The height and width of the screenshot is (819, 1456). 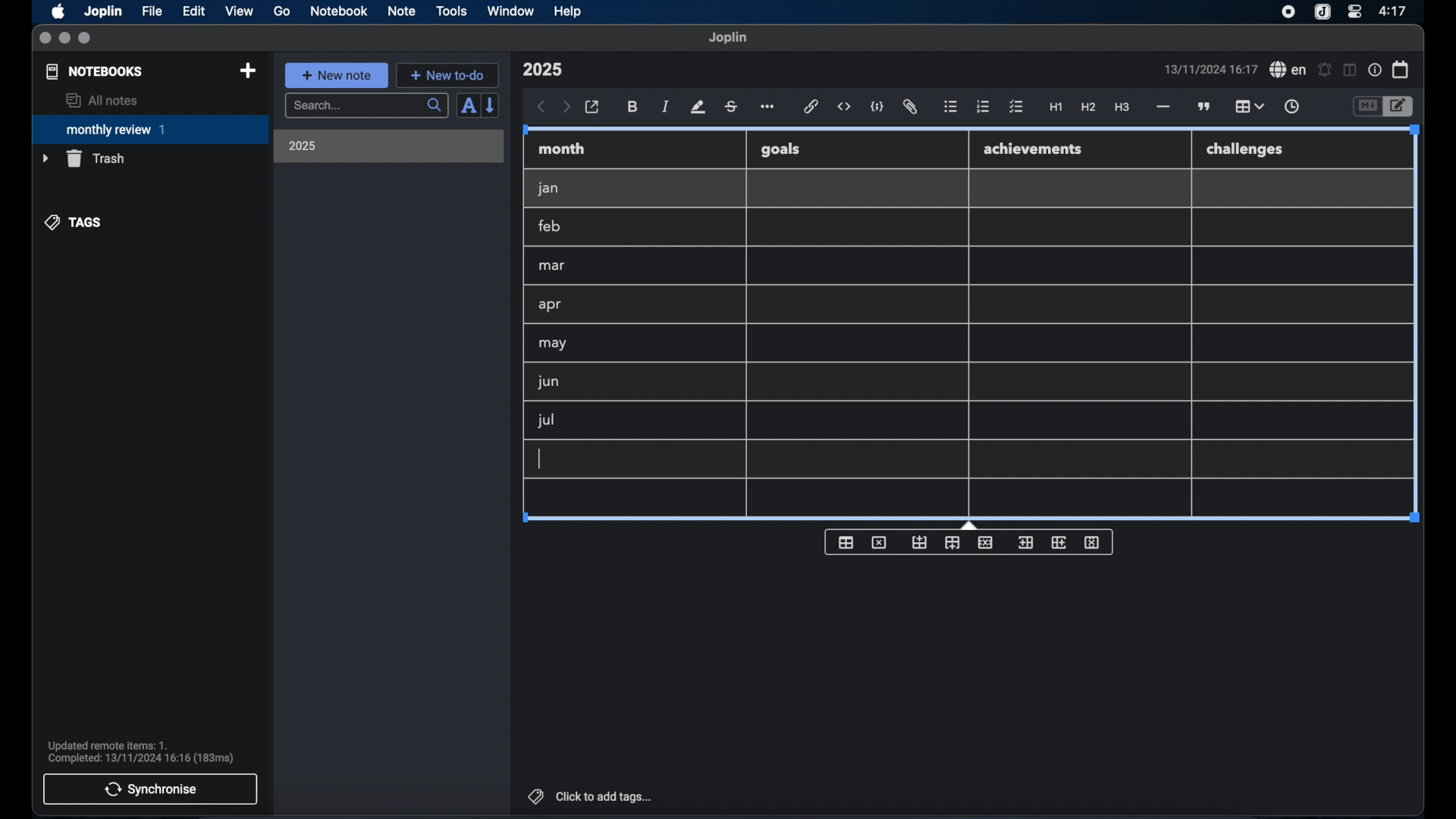 What do you see at coordinates (879, 543) in the screenshot?
I see `delete table` at bounding box center [879, 543].